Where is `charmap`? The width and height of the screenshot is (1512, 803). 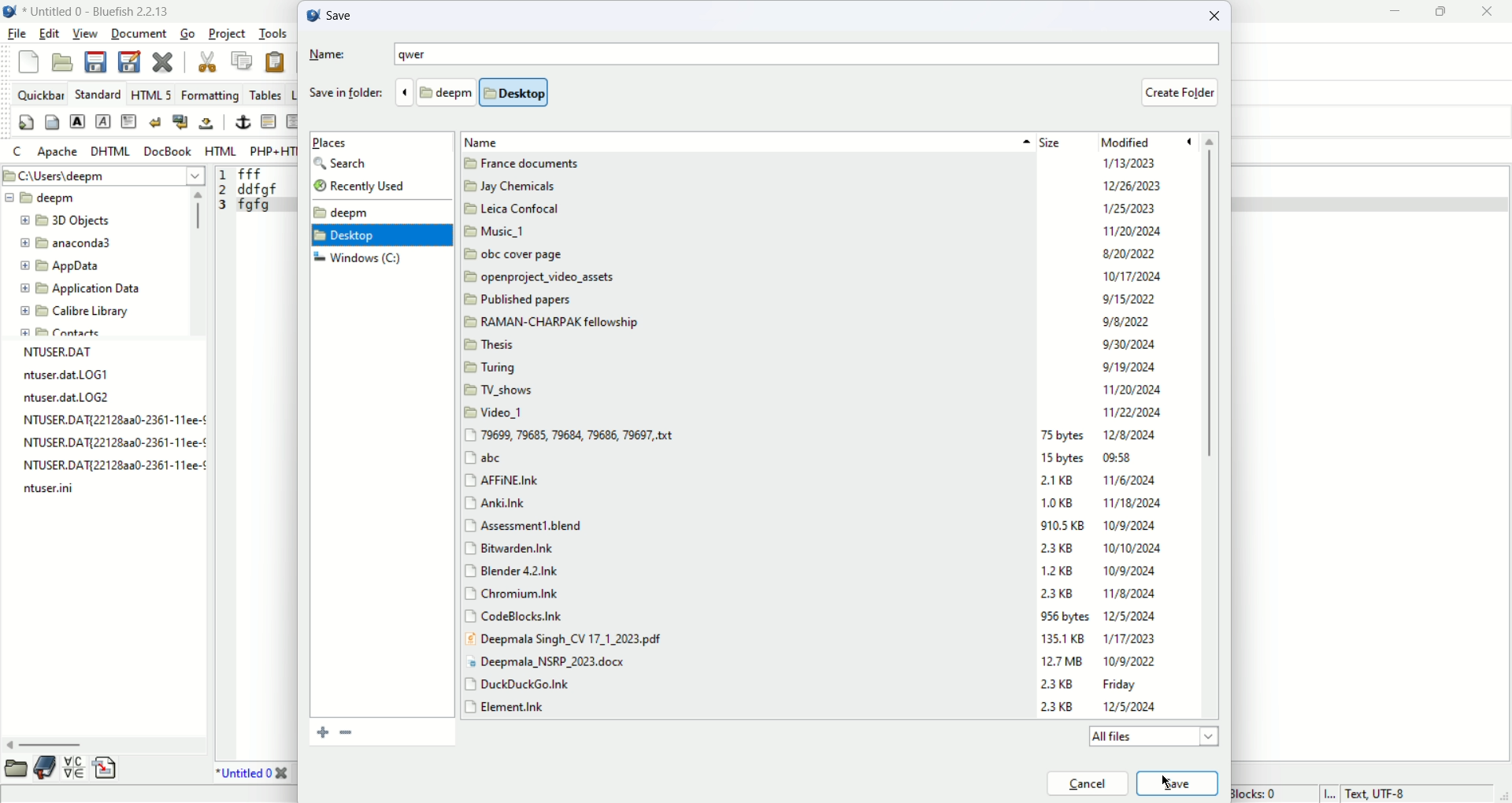 charmap is located at coordinates (75, 772).